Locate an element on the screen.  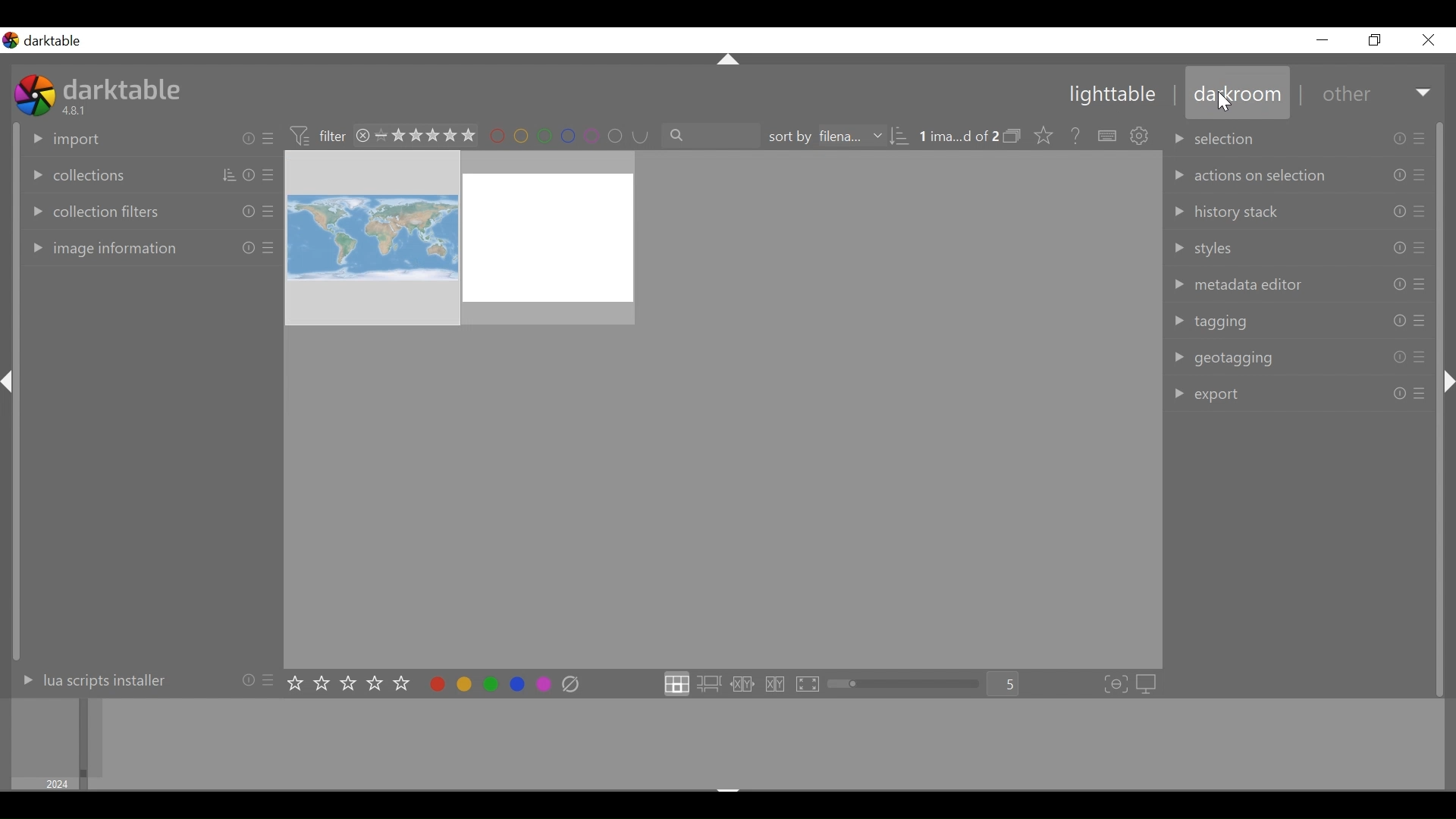
metadata editor is located at coordinates (1295, 283).